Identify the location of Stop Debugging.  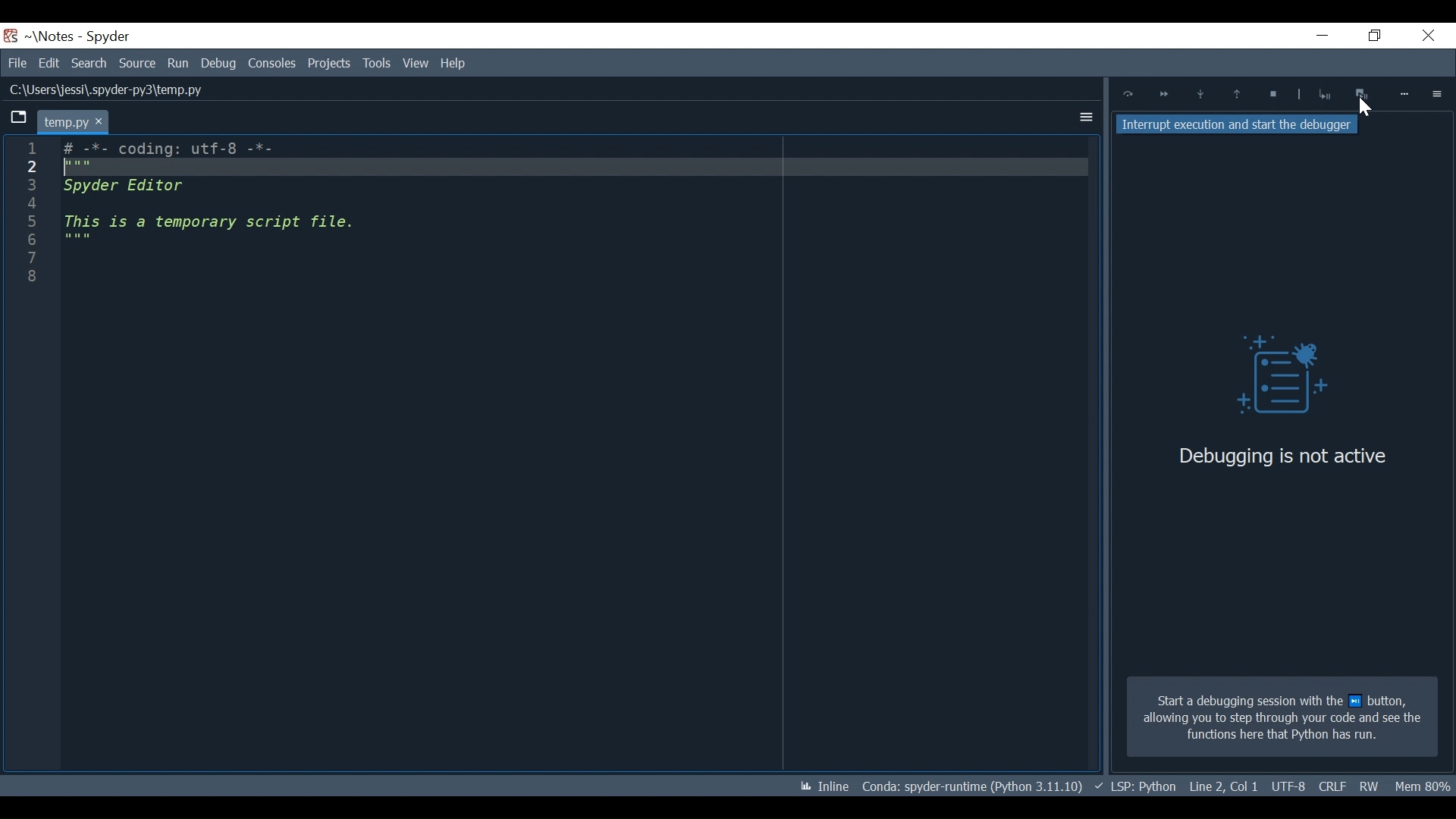
(1275, 94).